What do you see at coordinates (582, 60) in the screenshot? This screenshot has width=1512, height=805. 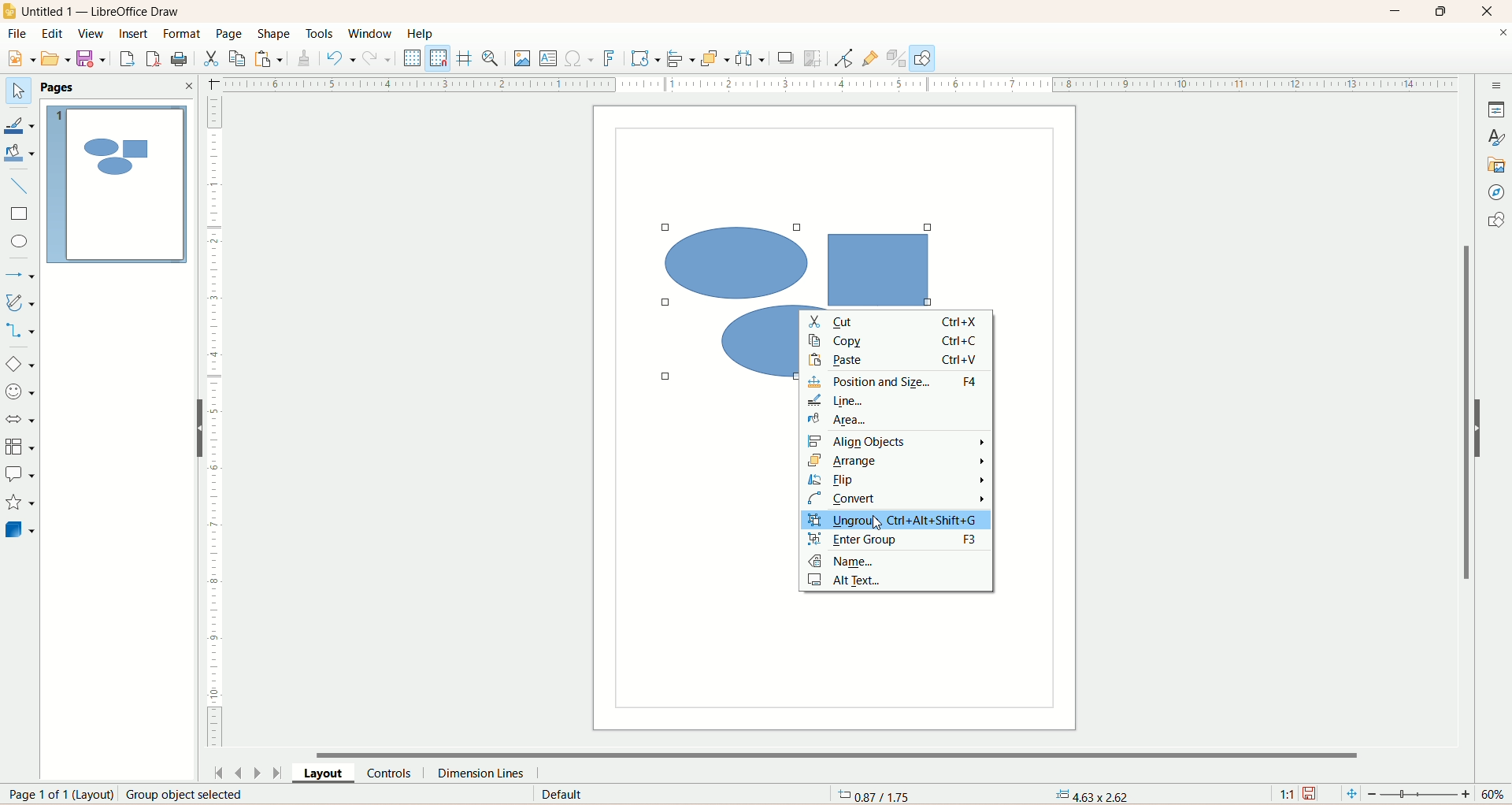 I see `special character` at bounding box center [582, 60].